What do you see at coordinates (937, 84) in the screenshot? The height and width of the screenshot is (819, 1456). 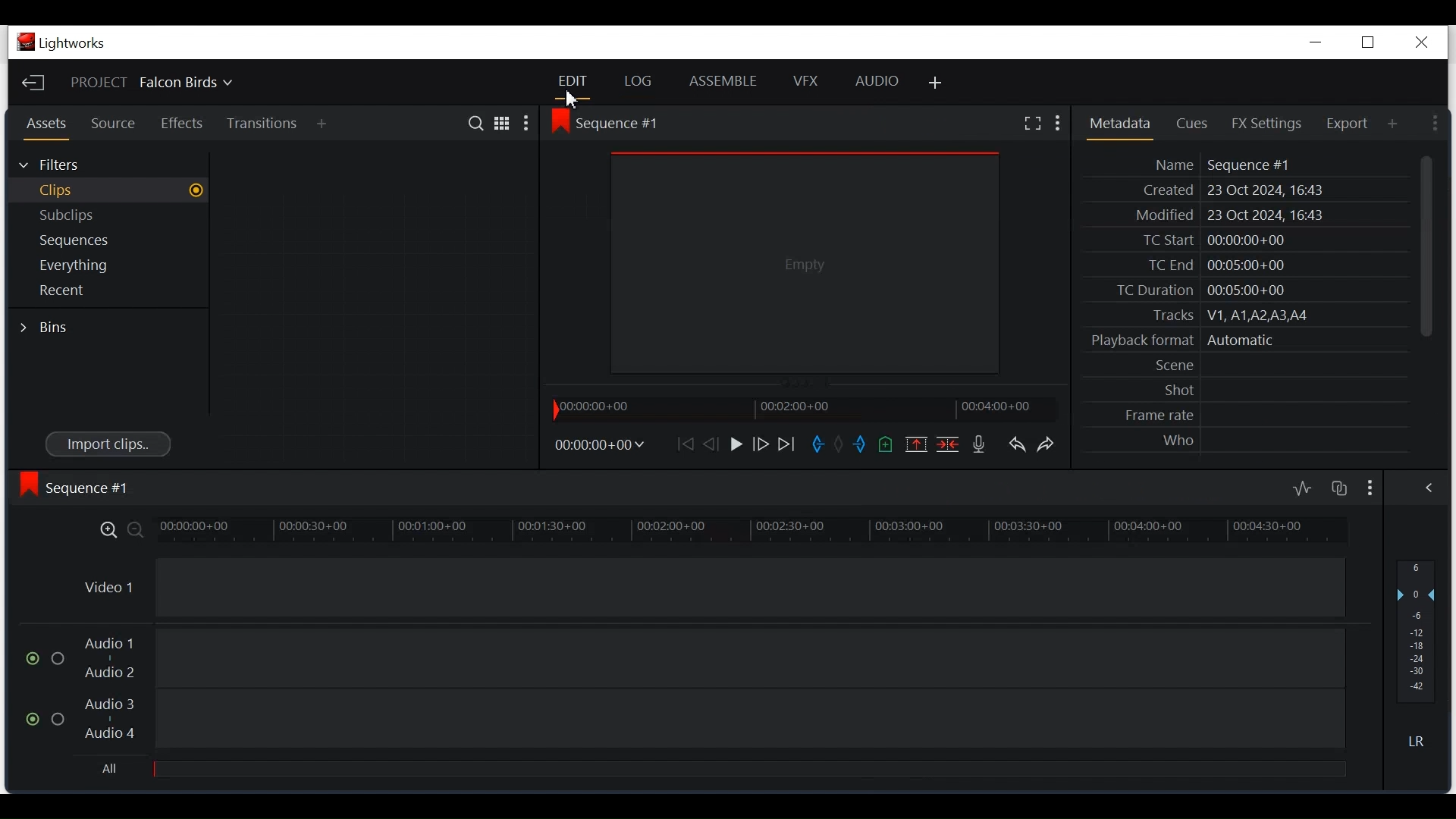 I see `Add Panel` at bounding box center [937, 84].